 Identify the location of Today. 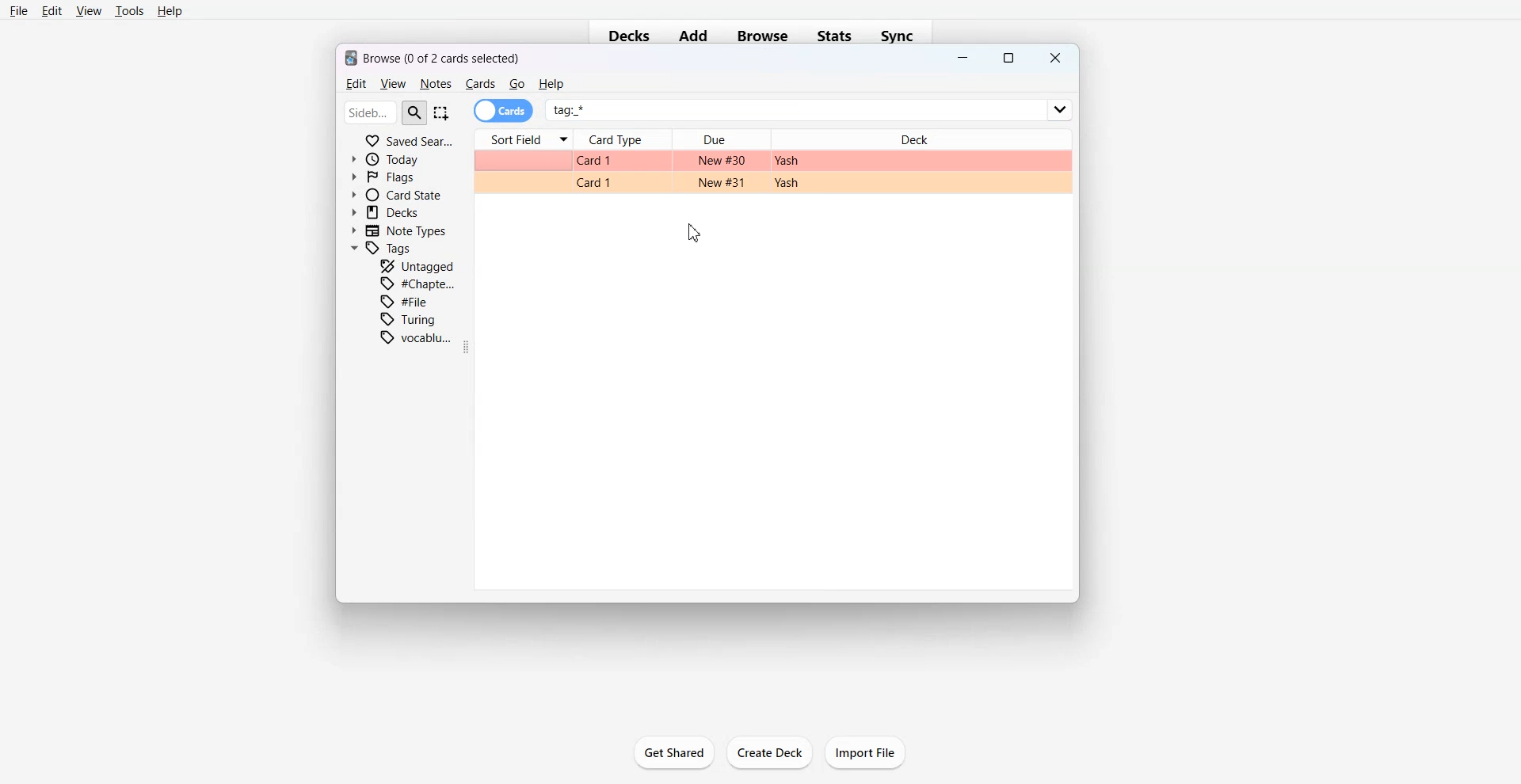
(389, 159).